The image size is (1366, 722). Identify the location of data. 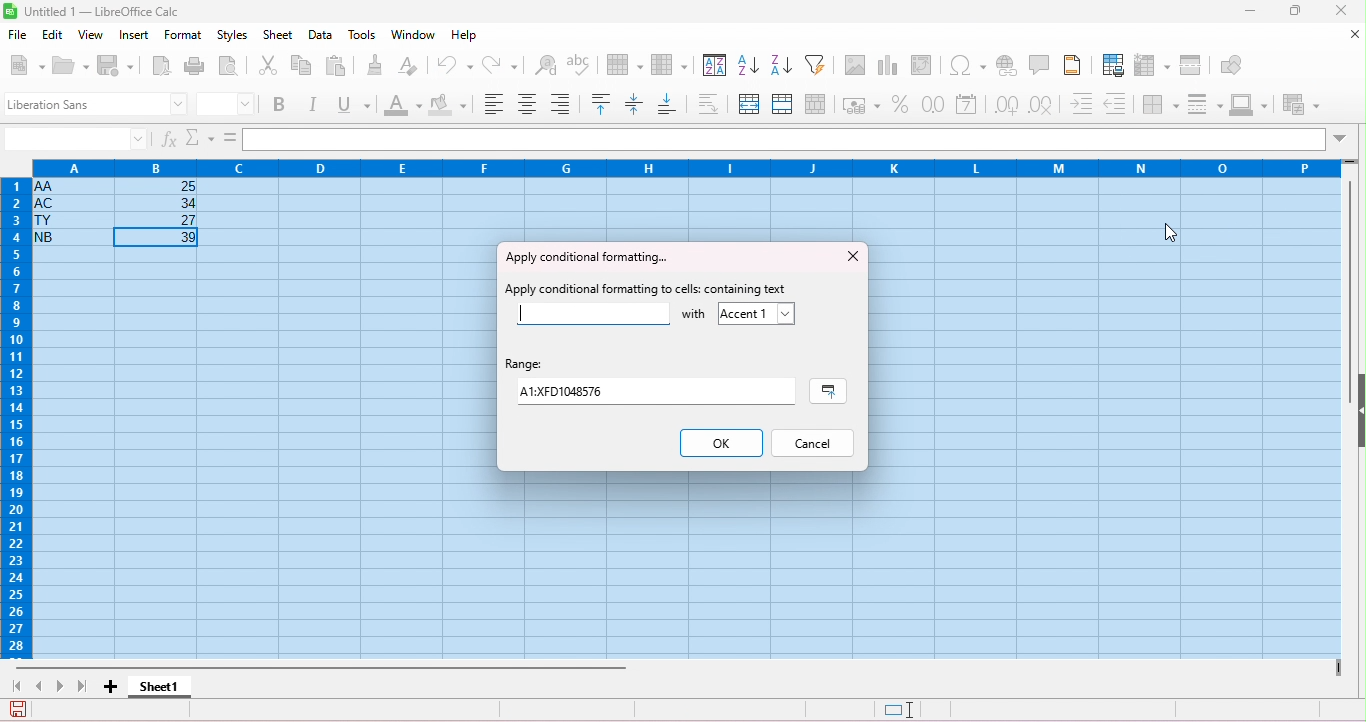
(320, 36).